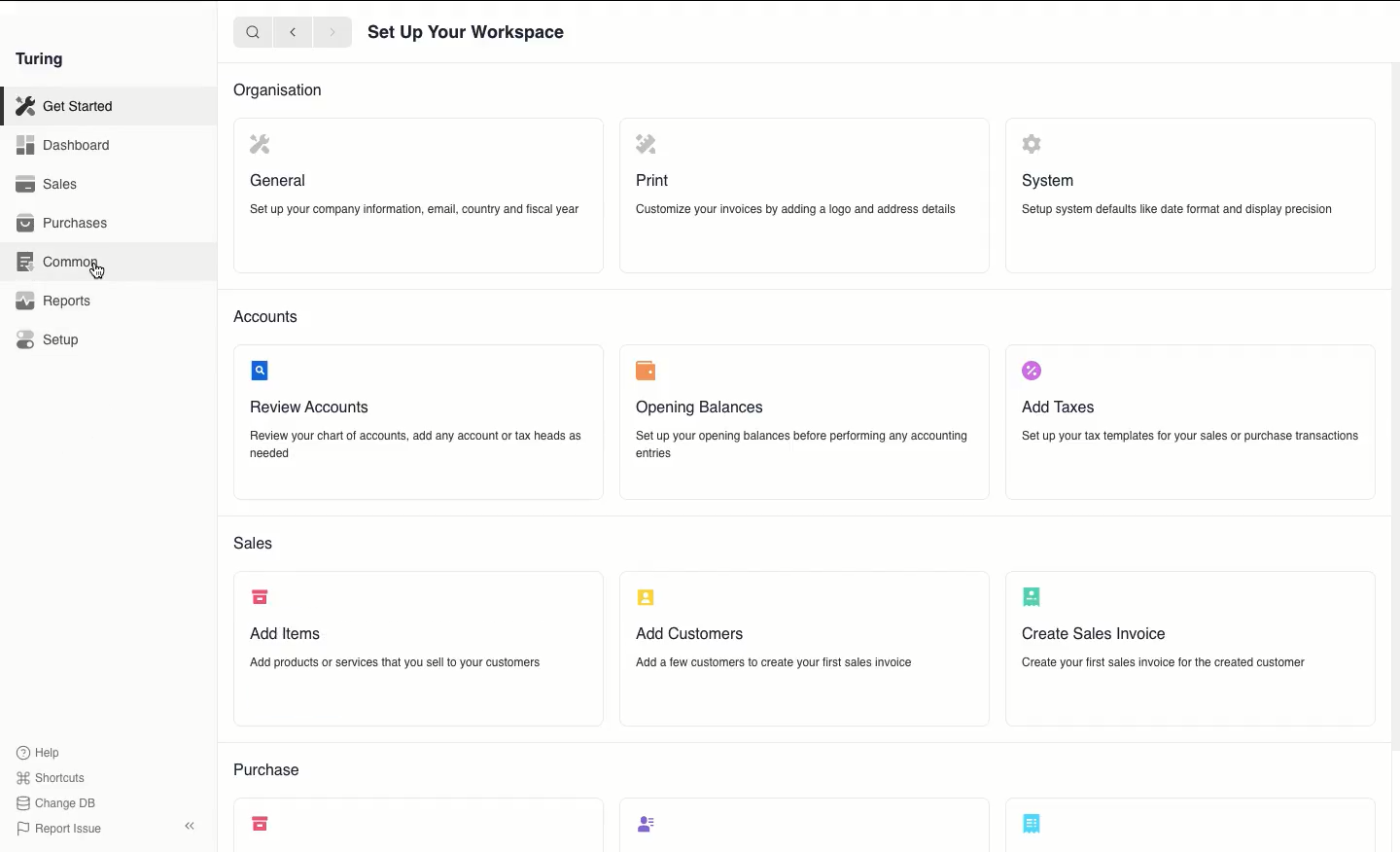  What do you see at coordinates (269, 766) in the screenshot?
I see `Purchase` at bounding box center [269, 766].